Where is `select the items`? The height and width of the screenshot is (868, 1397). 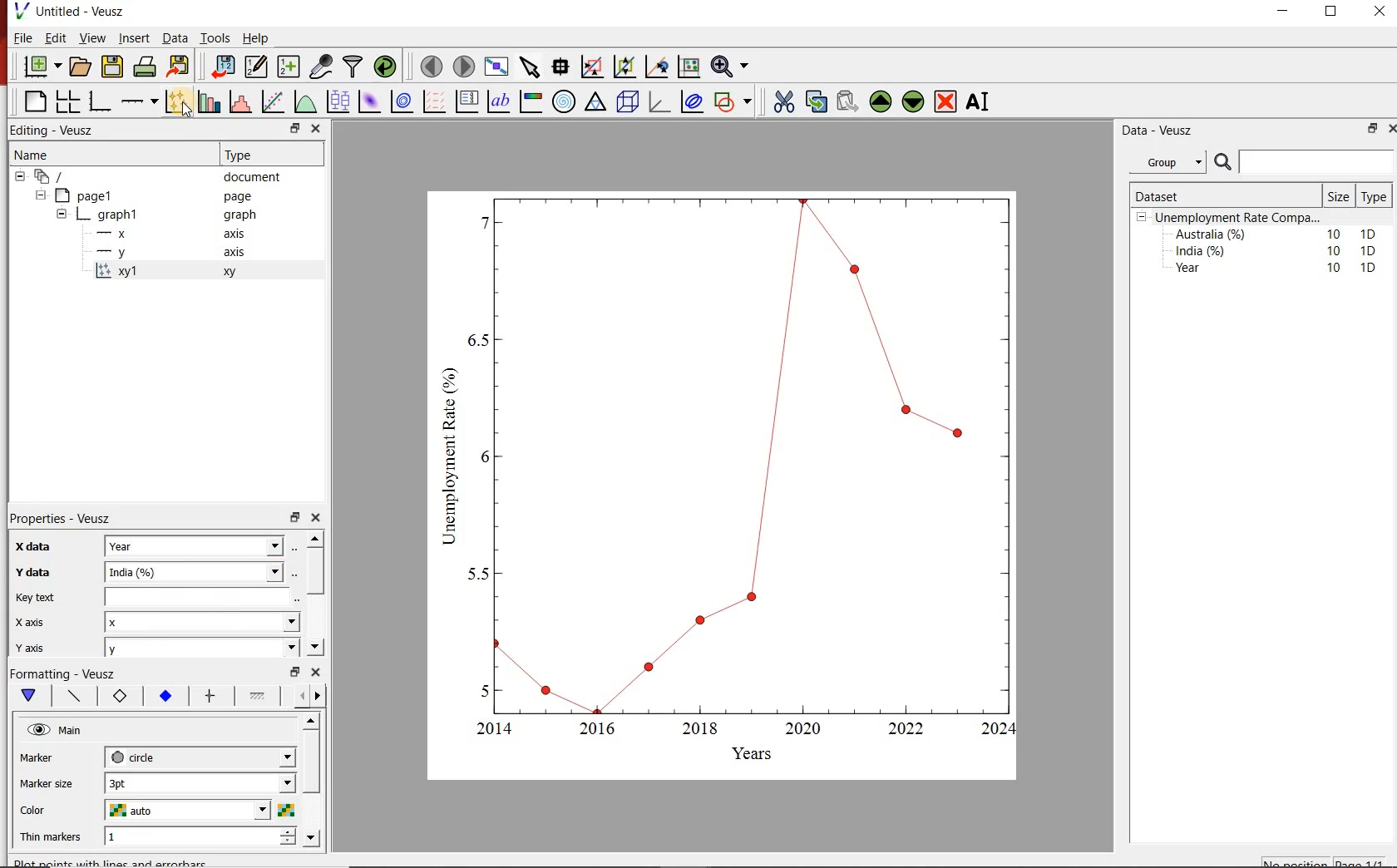 select the items is located at coordinates (531, 65).